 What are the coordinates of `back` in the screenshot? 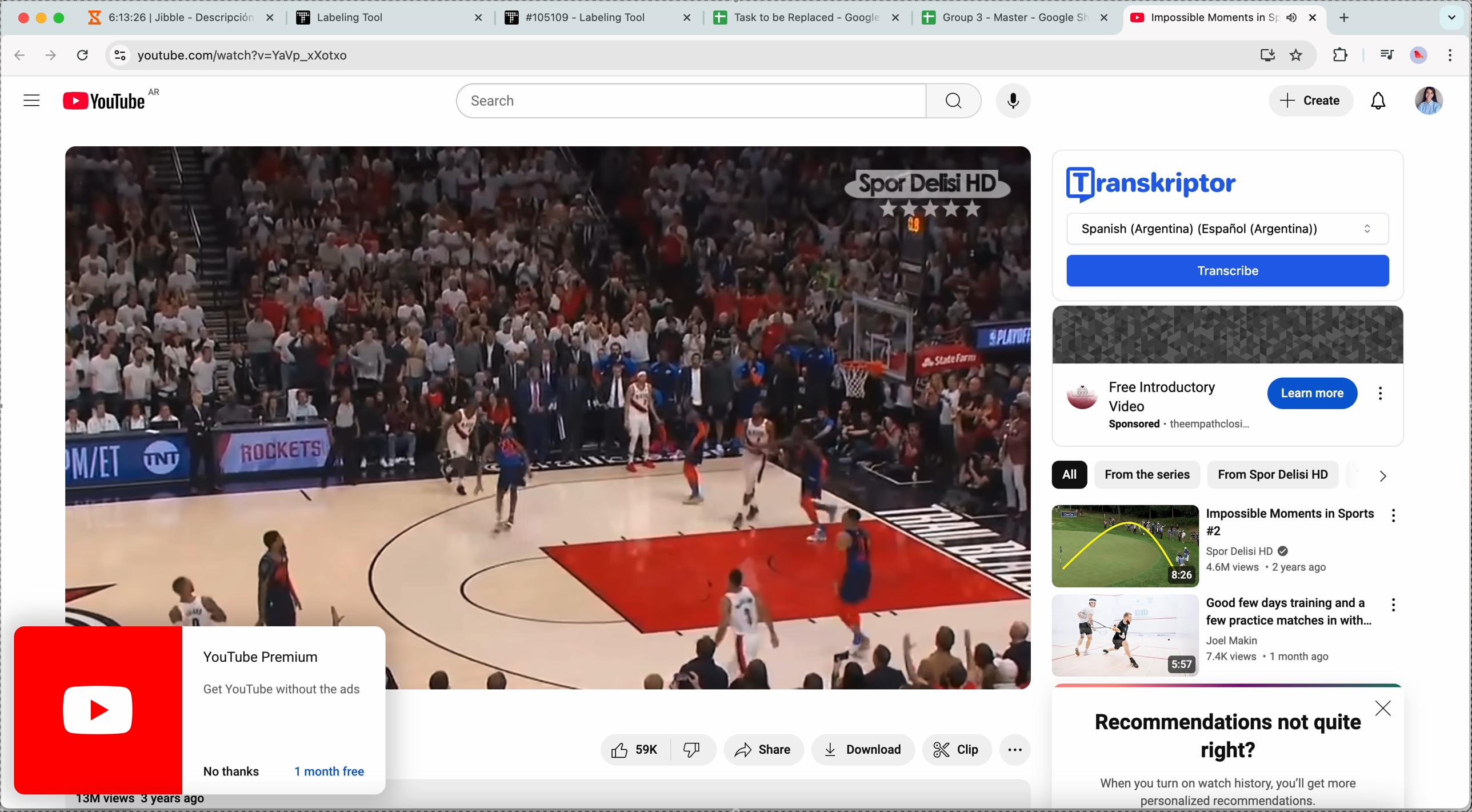 It's located at (19, 55).